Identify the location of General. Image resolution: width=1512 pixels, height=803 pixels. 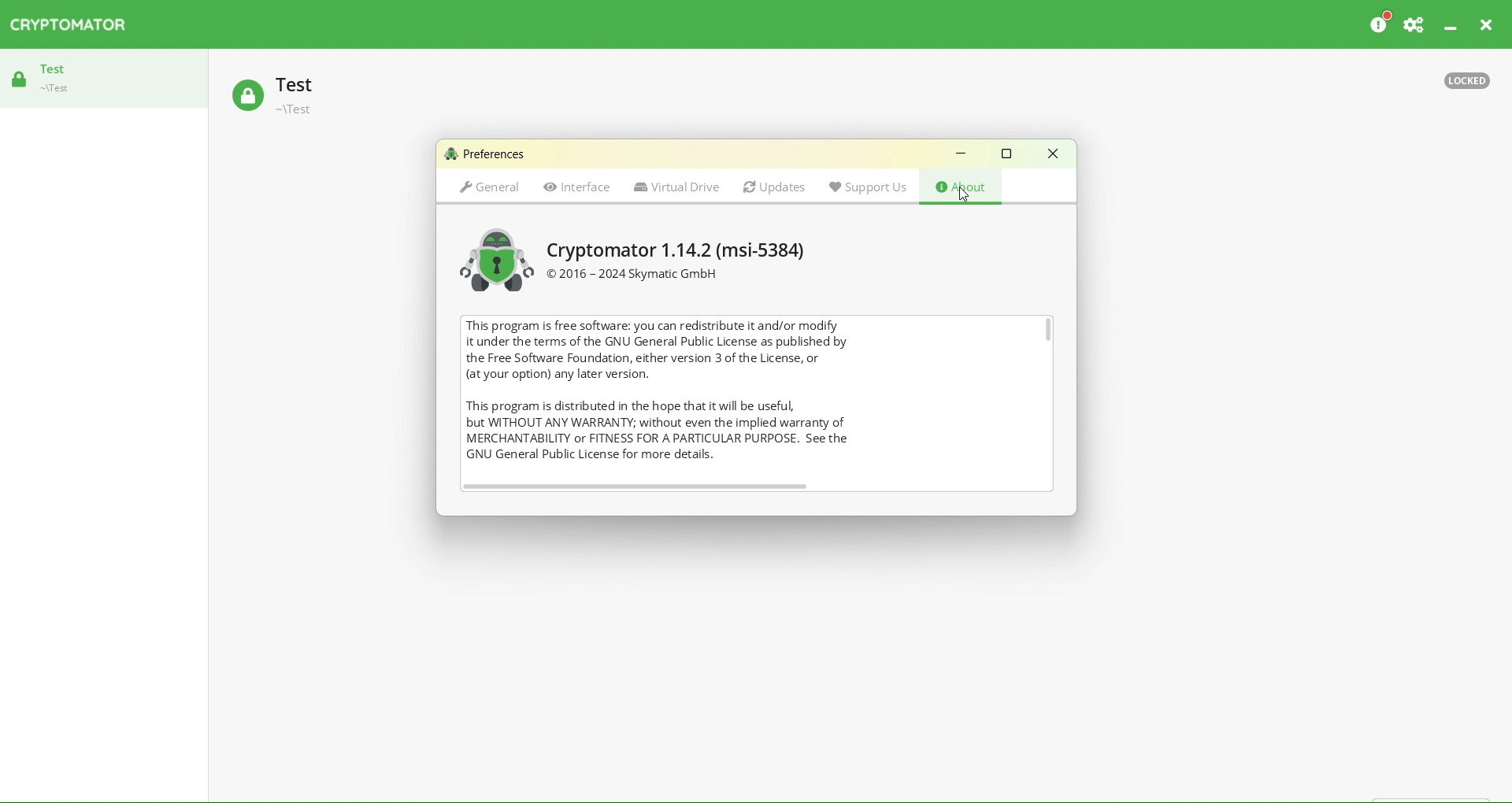
(491, 187).